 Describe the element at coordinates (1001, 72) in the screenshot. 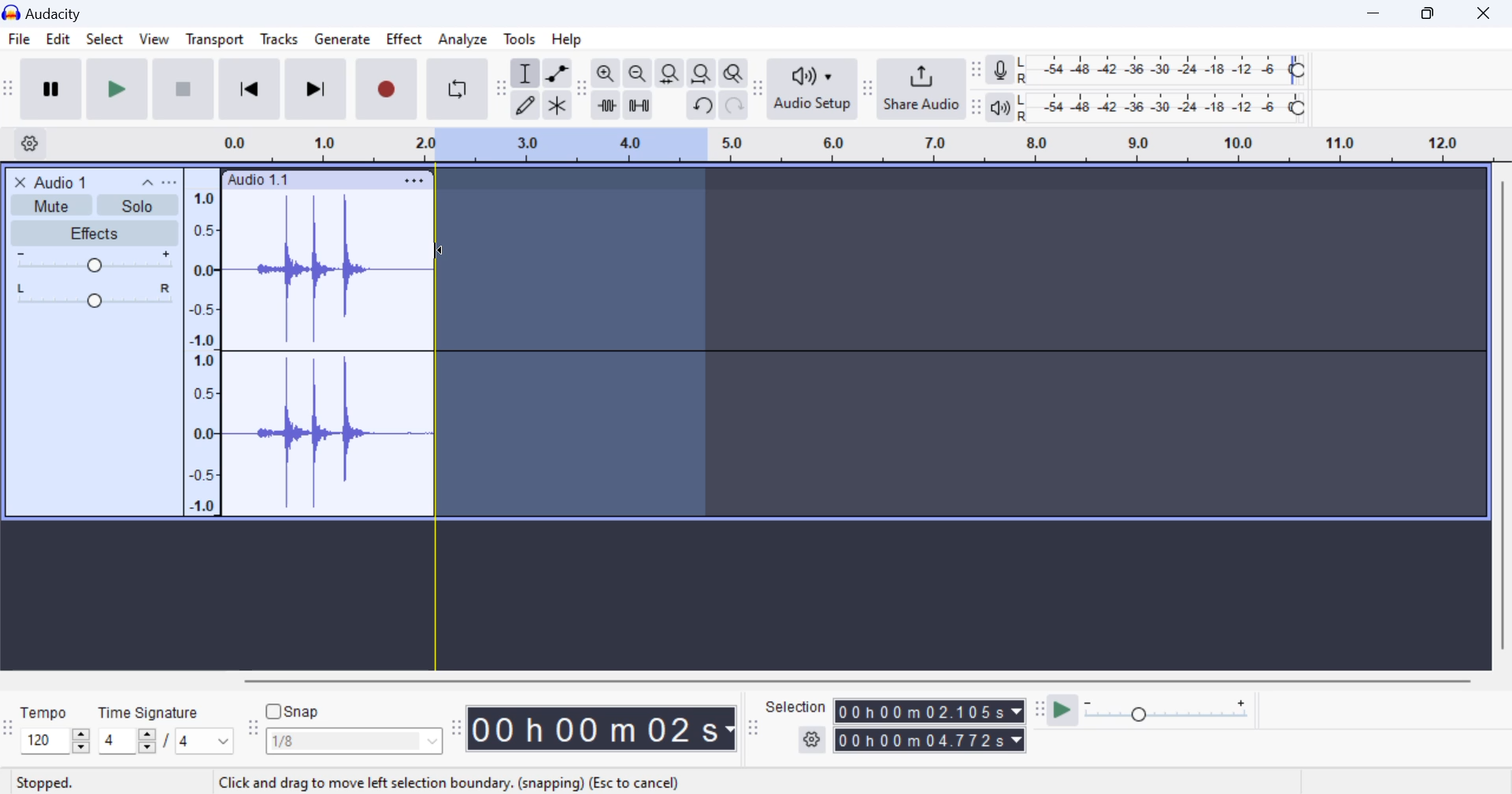

I see `record meter` at that location.